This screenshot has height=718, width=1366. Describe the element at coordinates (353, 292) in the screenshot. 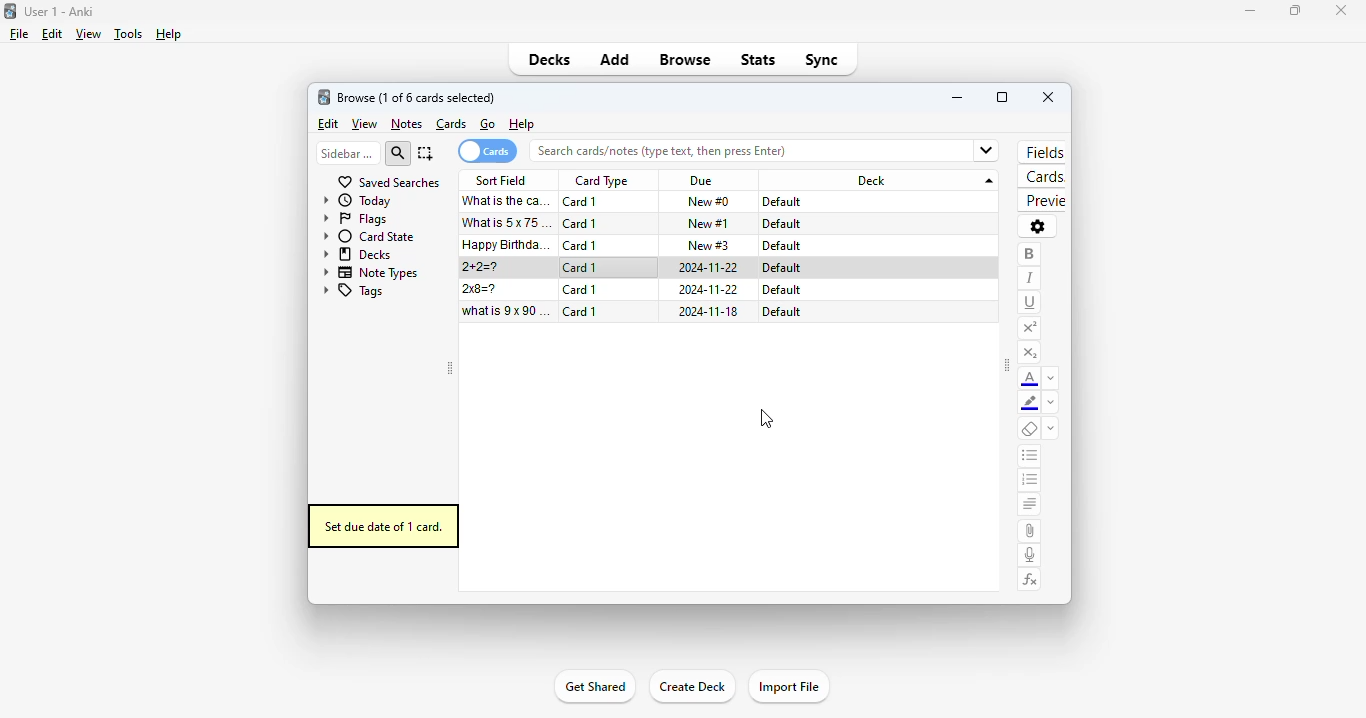

I see `tags` at that location.